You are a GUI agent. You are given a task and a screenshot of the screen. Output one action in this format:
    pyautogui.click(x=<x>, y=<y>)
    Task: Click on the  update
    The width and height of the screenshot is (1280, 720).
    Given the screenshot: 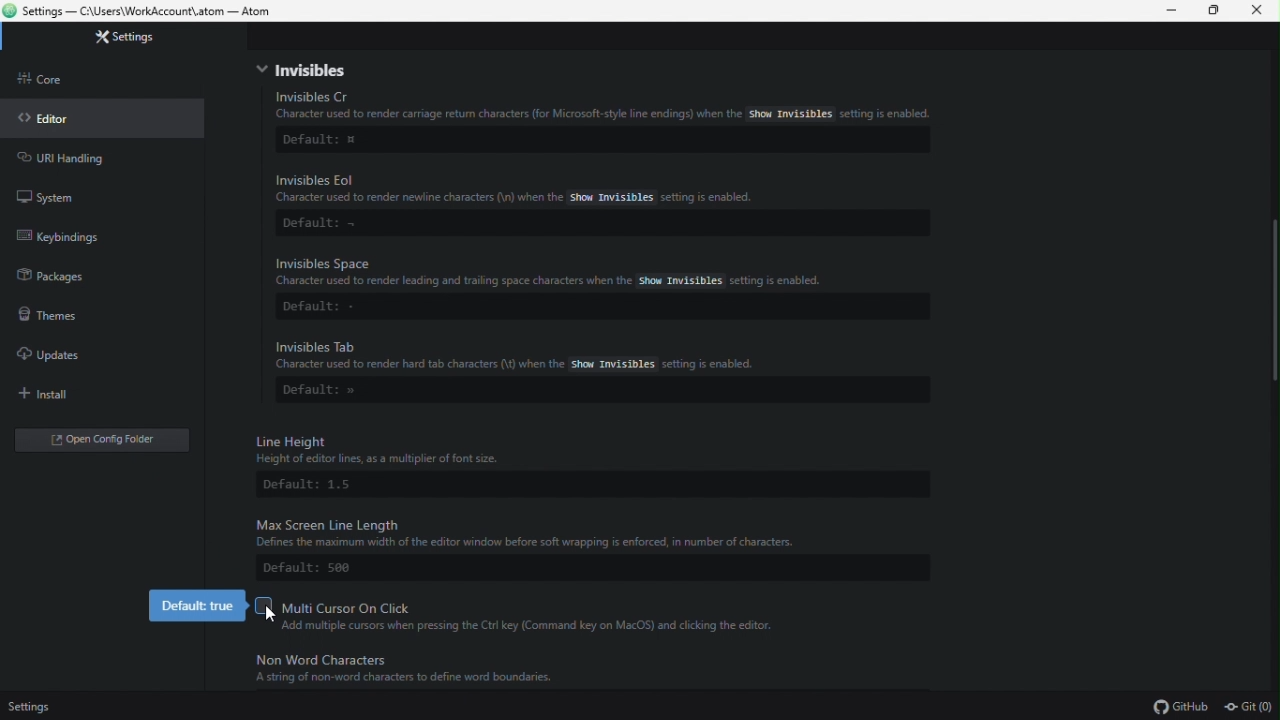 What is the action you would take?
    pyautogui.click(x=60, y=355)
    